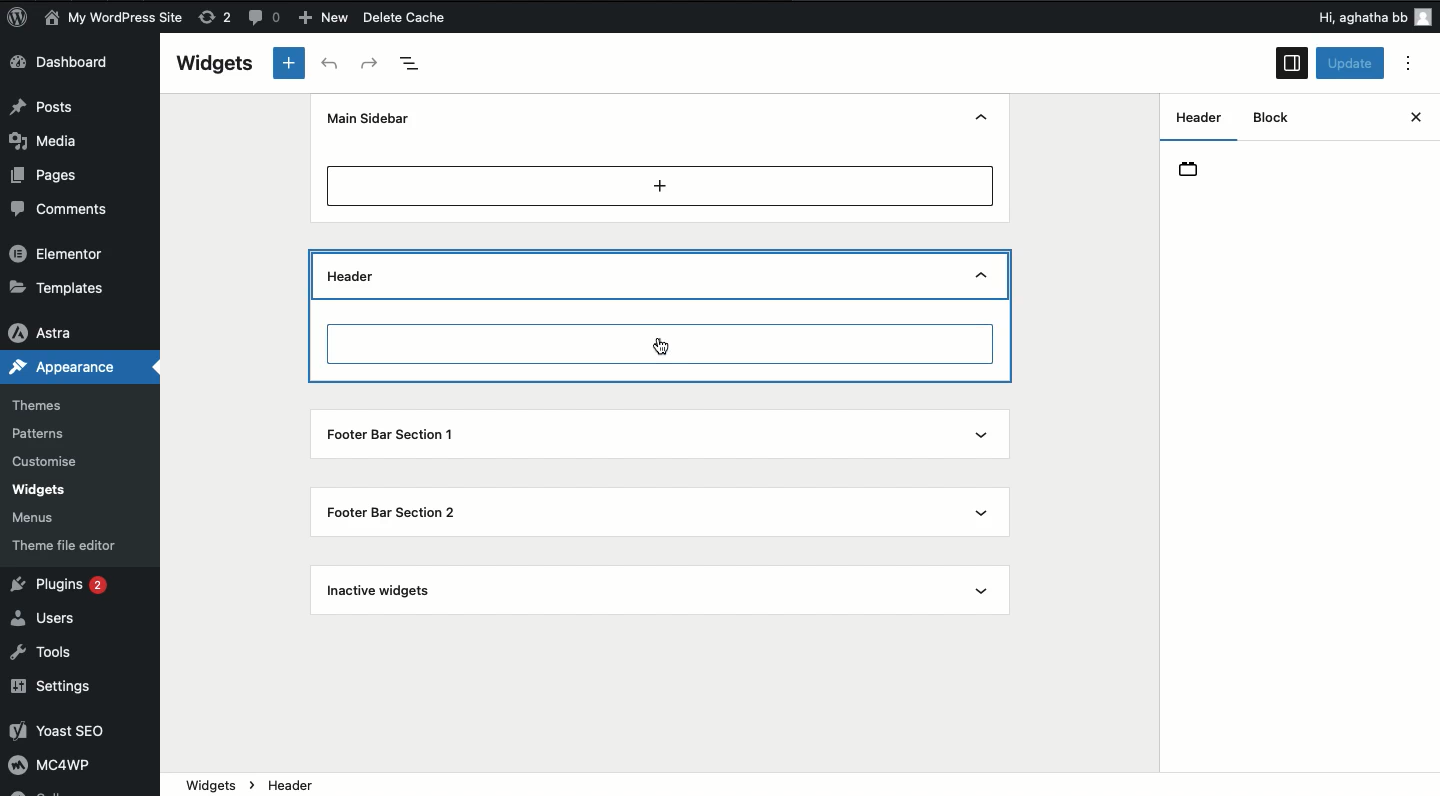  Describe the element at coordinates (1351, 64) in the screenshot. I see `Update` at that location.